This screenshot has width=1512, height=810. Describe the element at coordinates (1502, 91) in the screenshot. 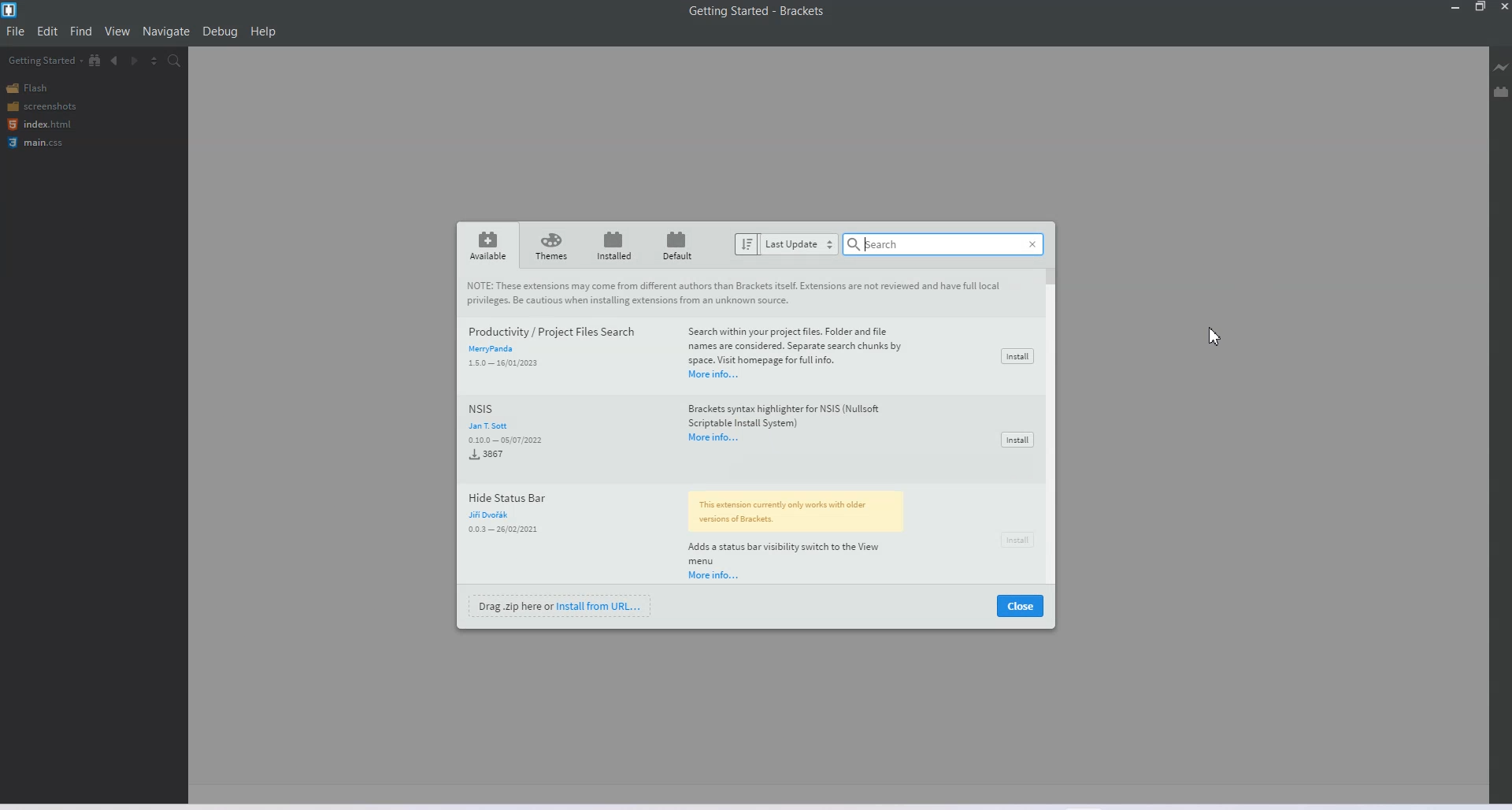

I see `Extension Manager` at that location.